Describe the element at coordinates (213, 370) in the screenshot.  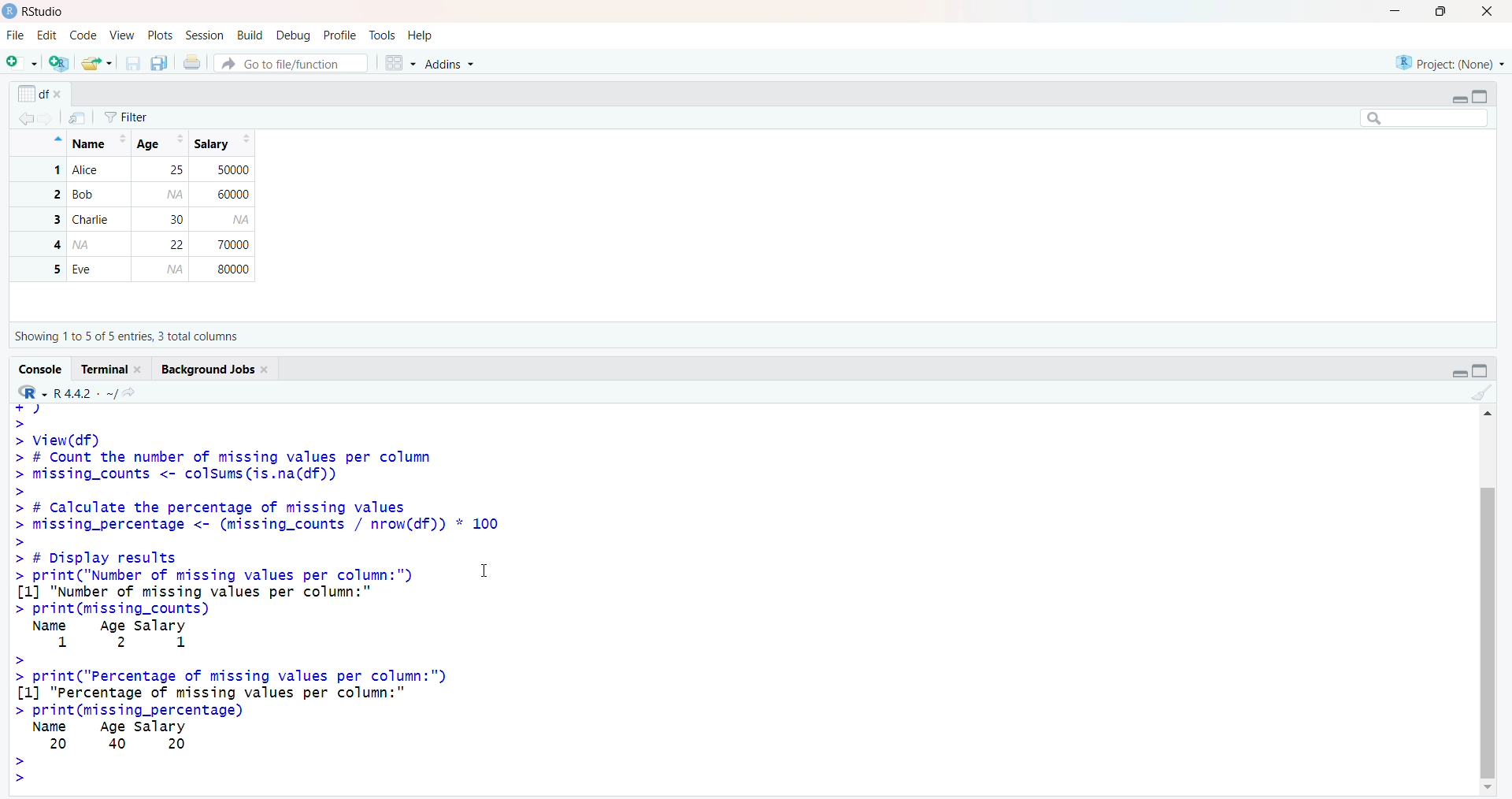
I see `Background Jobs` at that location.